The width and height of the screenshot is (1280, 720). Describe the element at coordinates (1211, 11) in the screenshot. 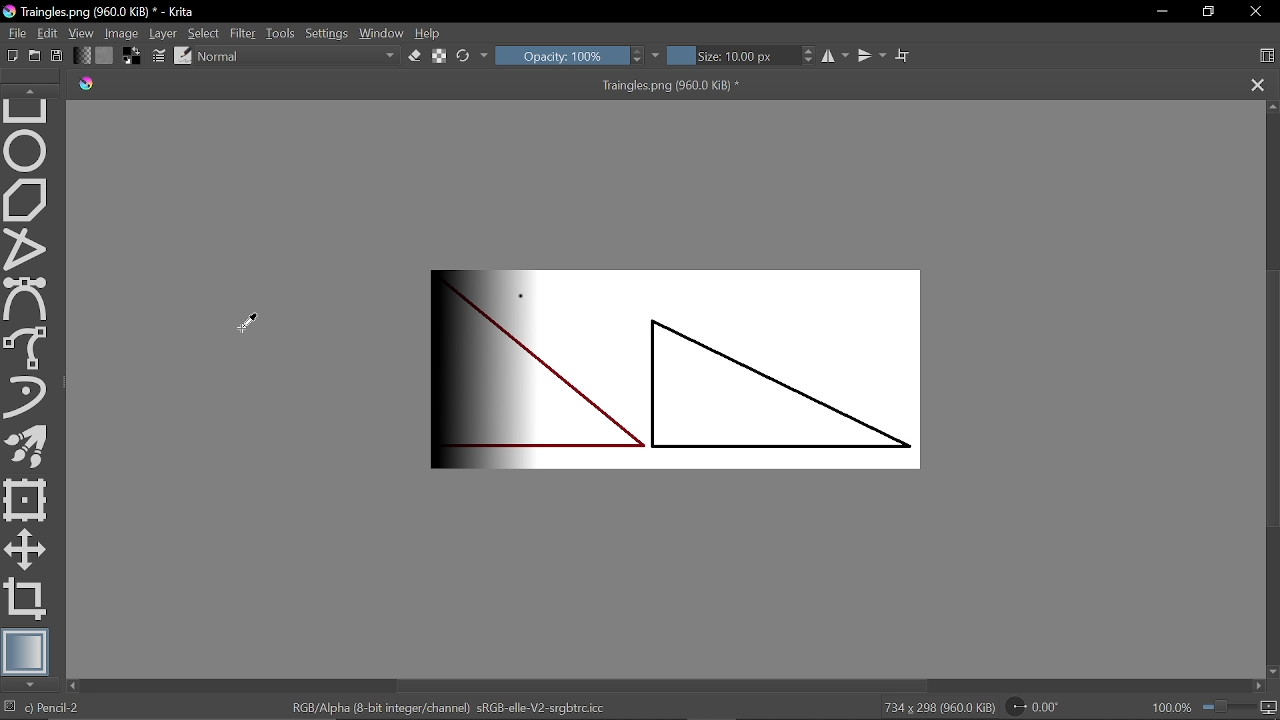

I see `restore down` at that location.